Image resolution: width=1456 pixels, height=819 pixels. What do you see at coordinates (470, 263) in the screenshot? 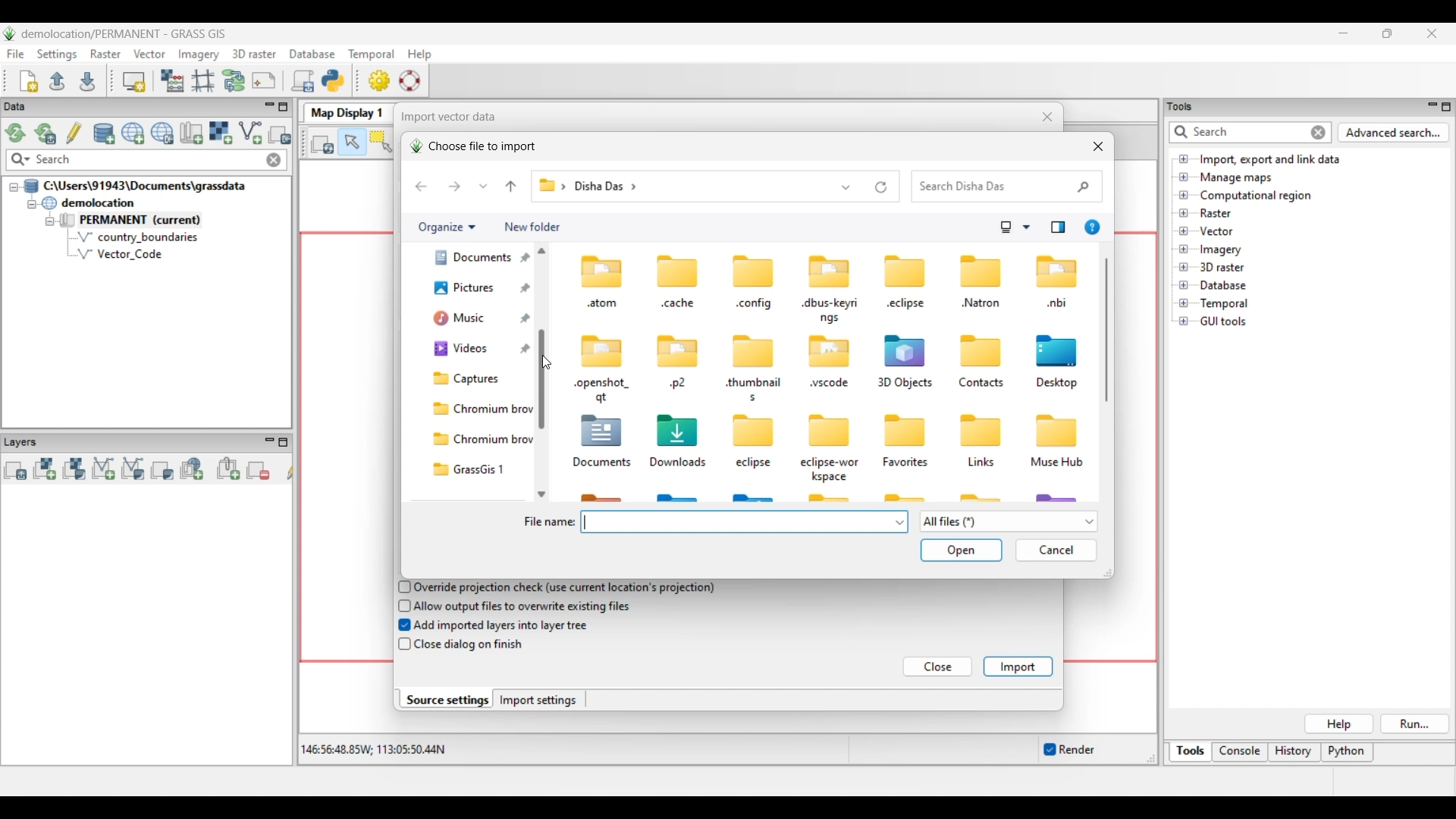
I see `Home folder` at bounding box center [470, 263].